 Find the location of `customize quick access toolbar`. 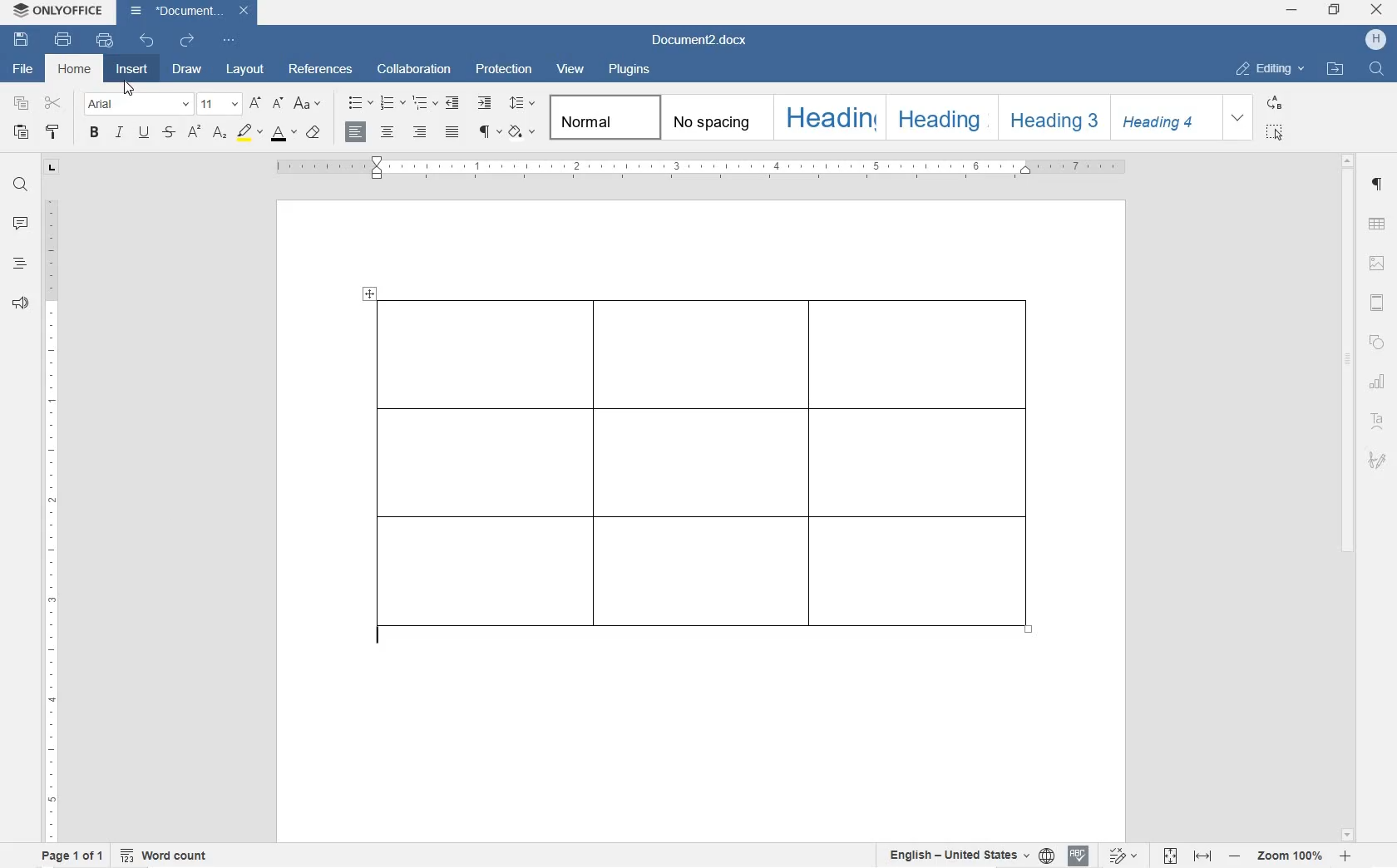

customize quick access toolbar is located at coordinates (228, 40).